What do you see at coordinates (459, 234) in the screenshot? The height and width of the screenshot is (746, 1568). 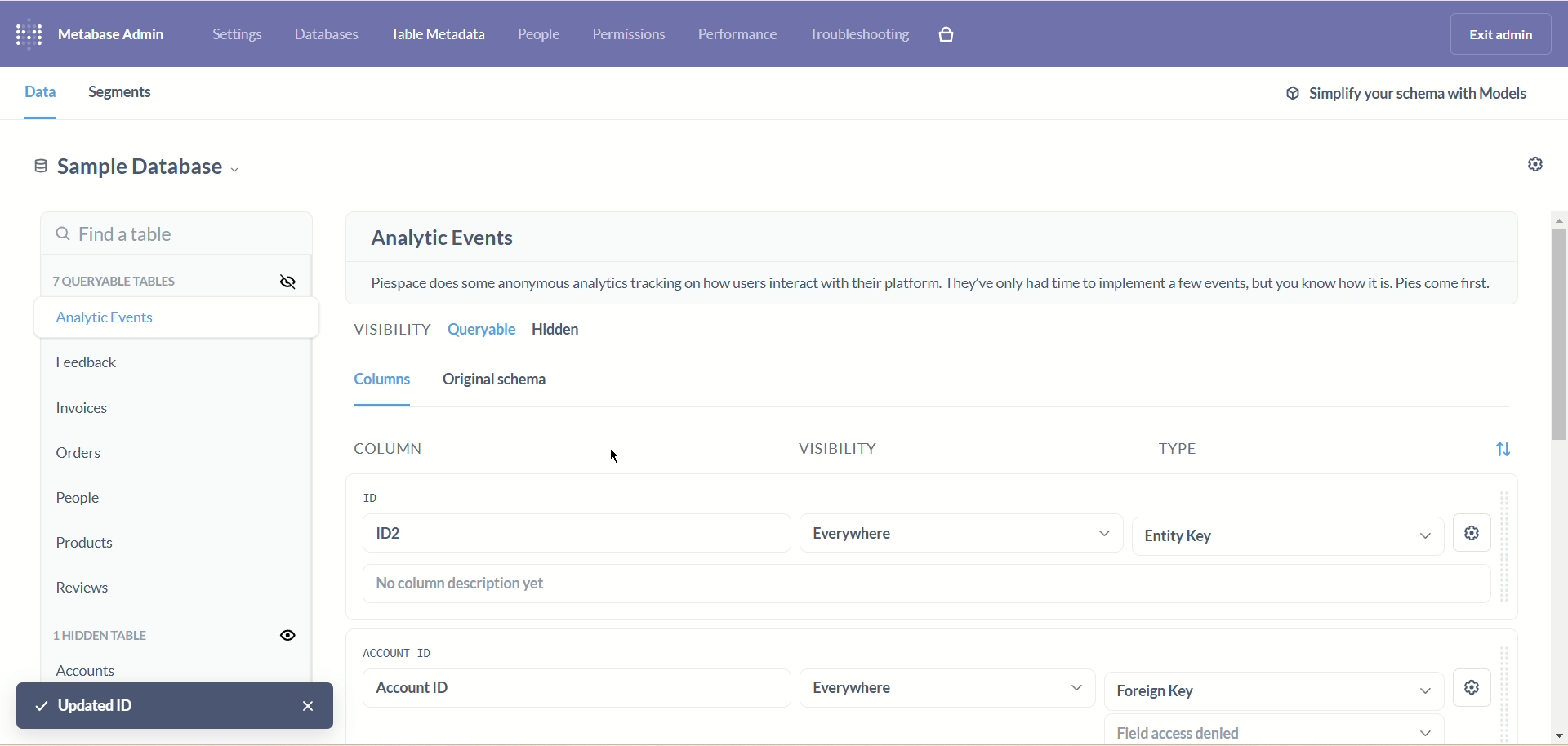 I see `Analytic events` at bounding box center [459, 234].